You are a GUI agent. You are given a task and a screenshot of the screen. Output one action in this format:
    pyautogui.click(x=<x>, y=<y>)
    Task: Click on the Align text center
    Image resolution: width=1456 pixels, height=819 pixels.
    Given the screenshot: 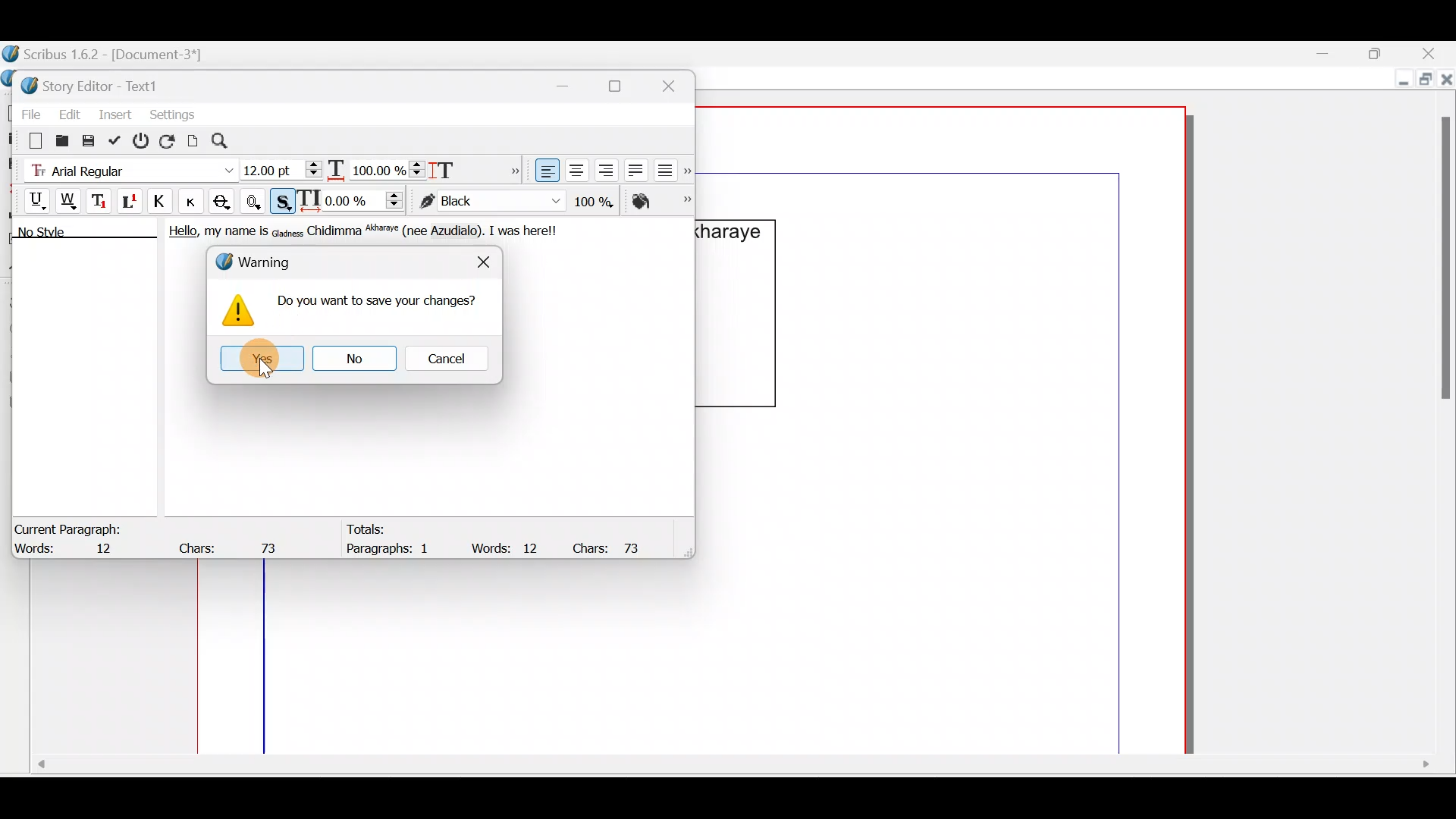 What is the action you would take?
    pyautogui.click(x=575, y=168)
    